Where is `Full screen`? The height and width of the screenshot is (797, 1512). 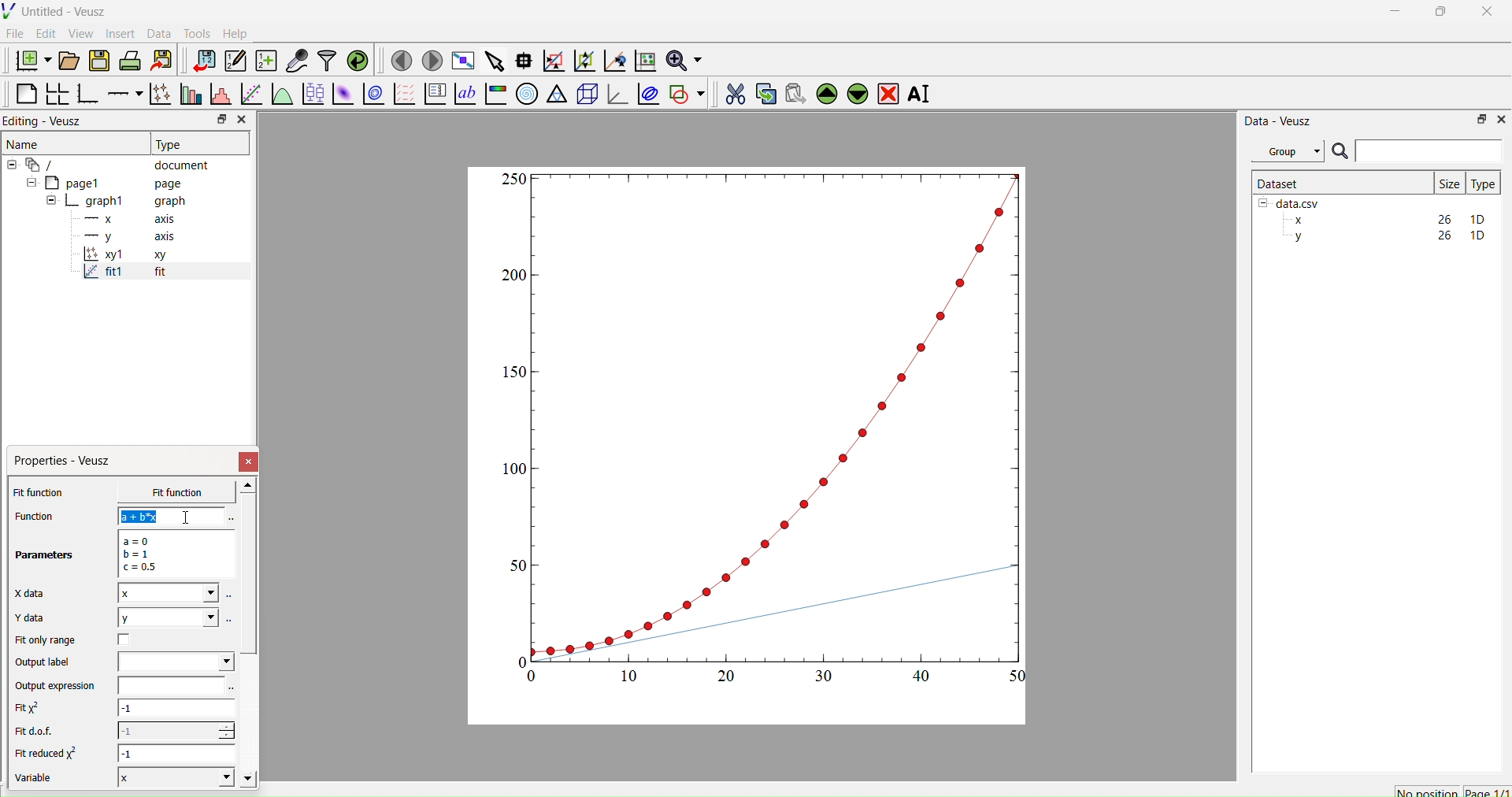
Full screen is located at coordinates (460, 61).